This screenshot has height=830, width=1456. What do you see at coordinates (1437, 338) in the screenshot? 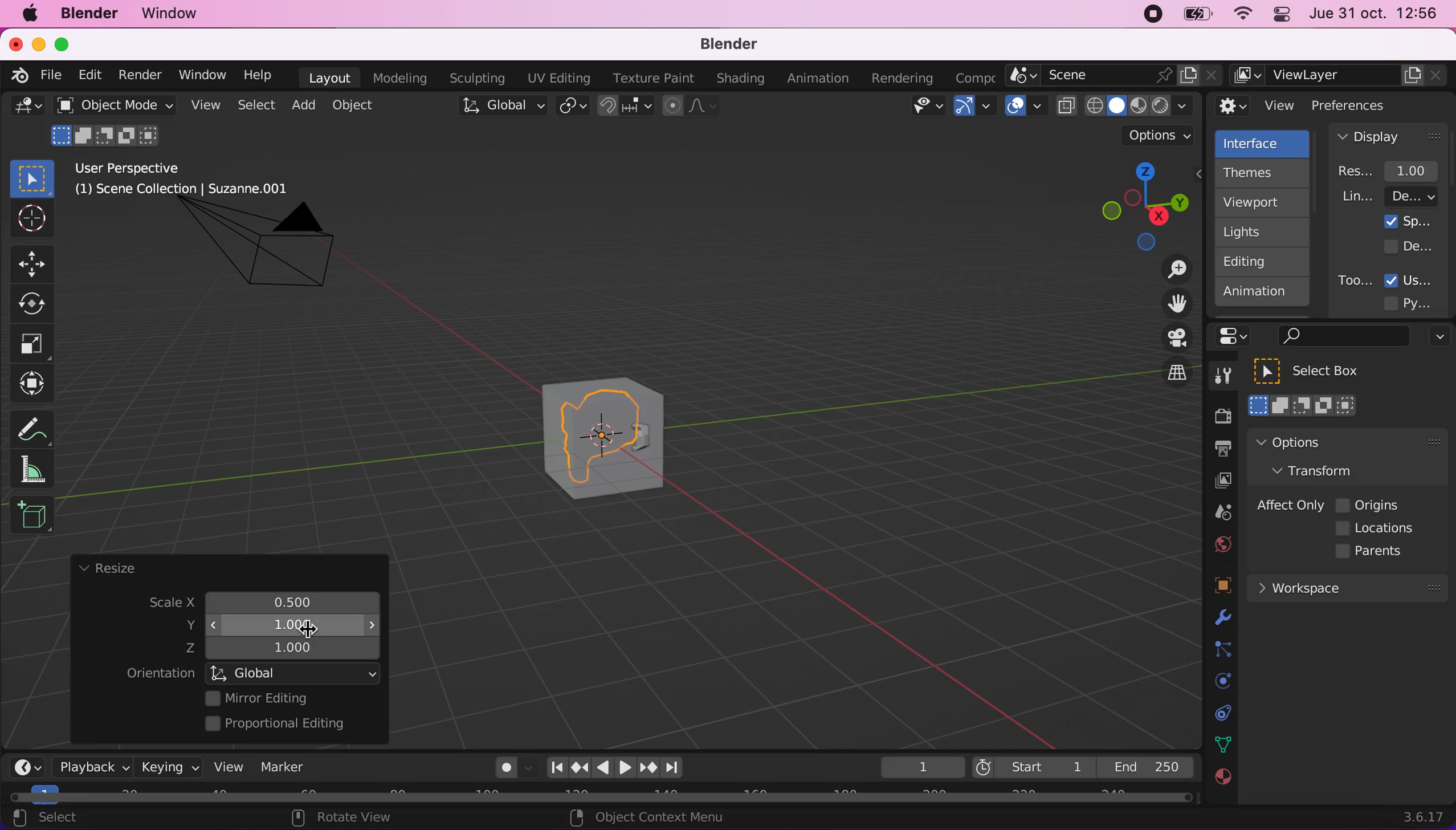
I see `options` at bounding box center [1437, 338].